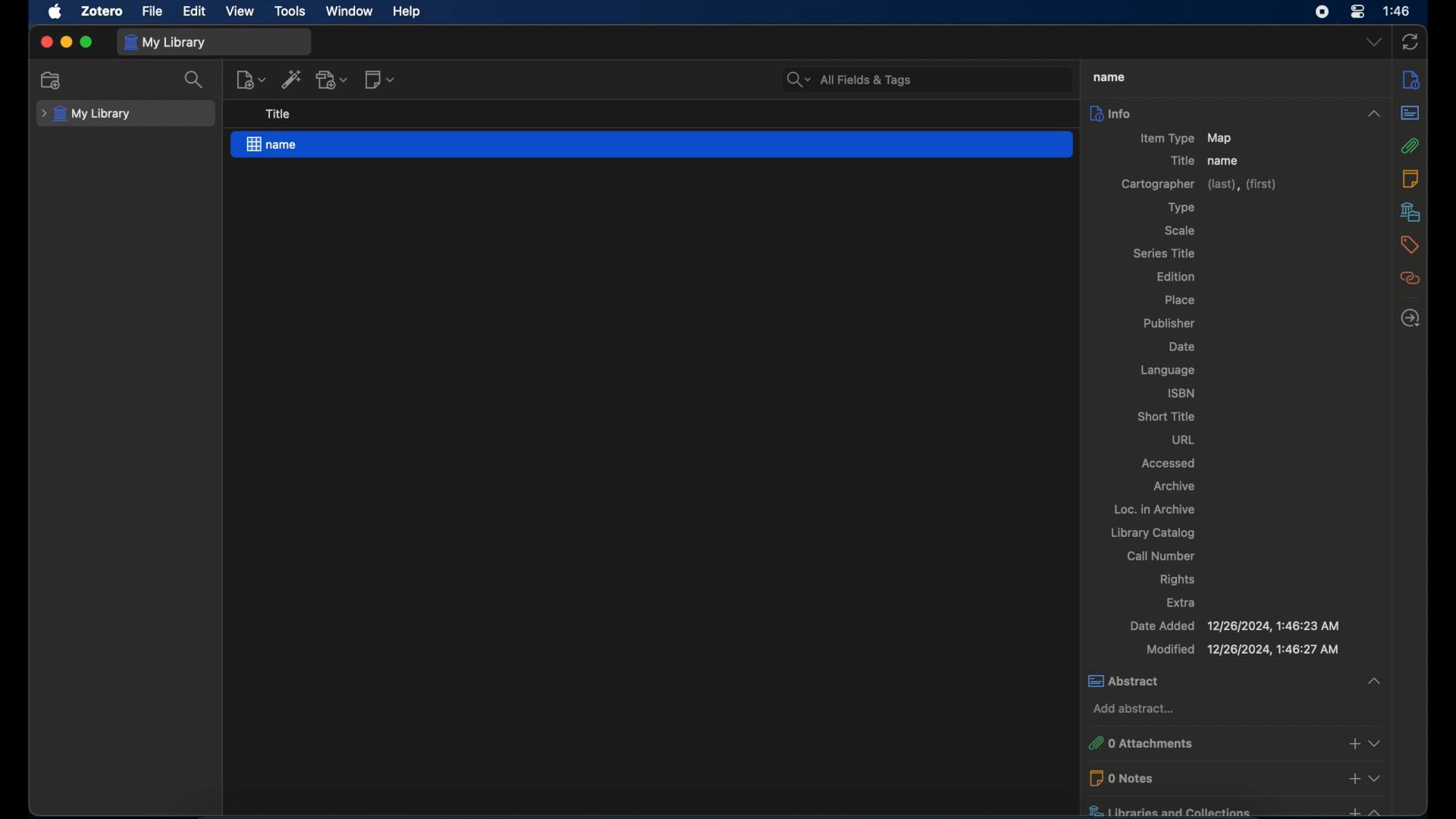  Describe the element at coordinates (1354, 743) in the screenshot. I see `add` at that location.